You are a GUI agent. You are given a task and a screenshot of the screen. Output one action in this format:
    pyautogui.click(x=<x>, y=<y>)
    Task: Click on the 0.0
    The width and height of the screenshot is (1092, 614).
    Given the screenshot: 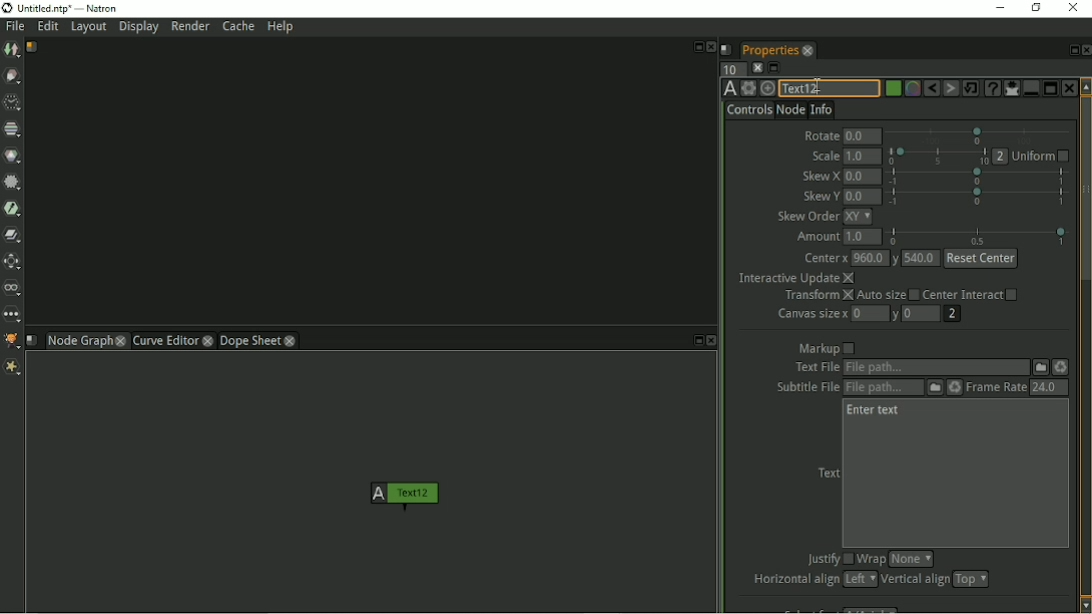 What is the action you would take?
    pyautogui.click(x=862, y=177)
    